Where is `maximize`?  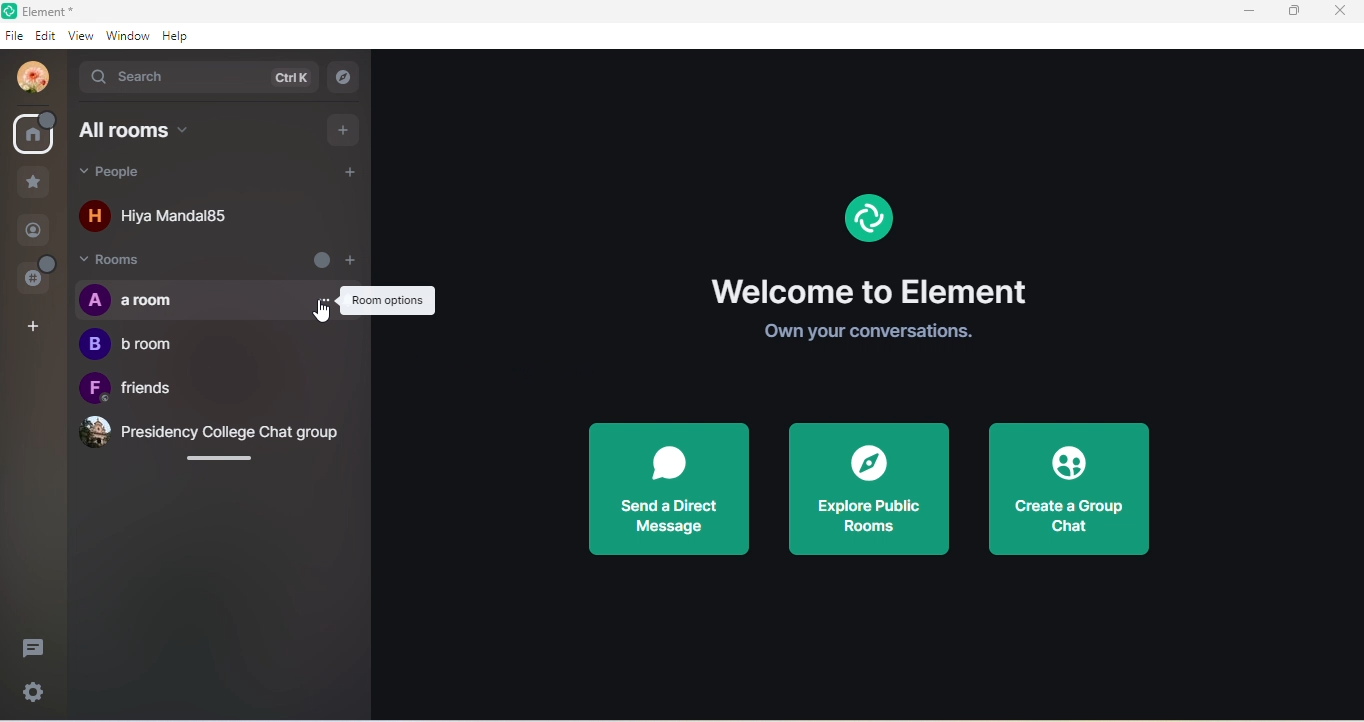 maximize is located at coordinates (1288, 11).